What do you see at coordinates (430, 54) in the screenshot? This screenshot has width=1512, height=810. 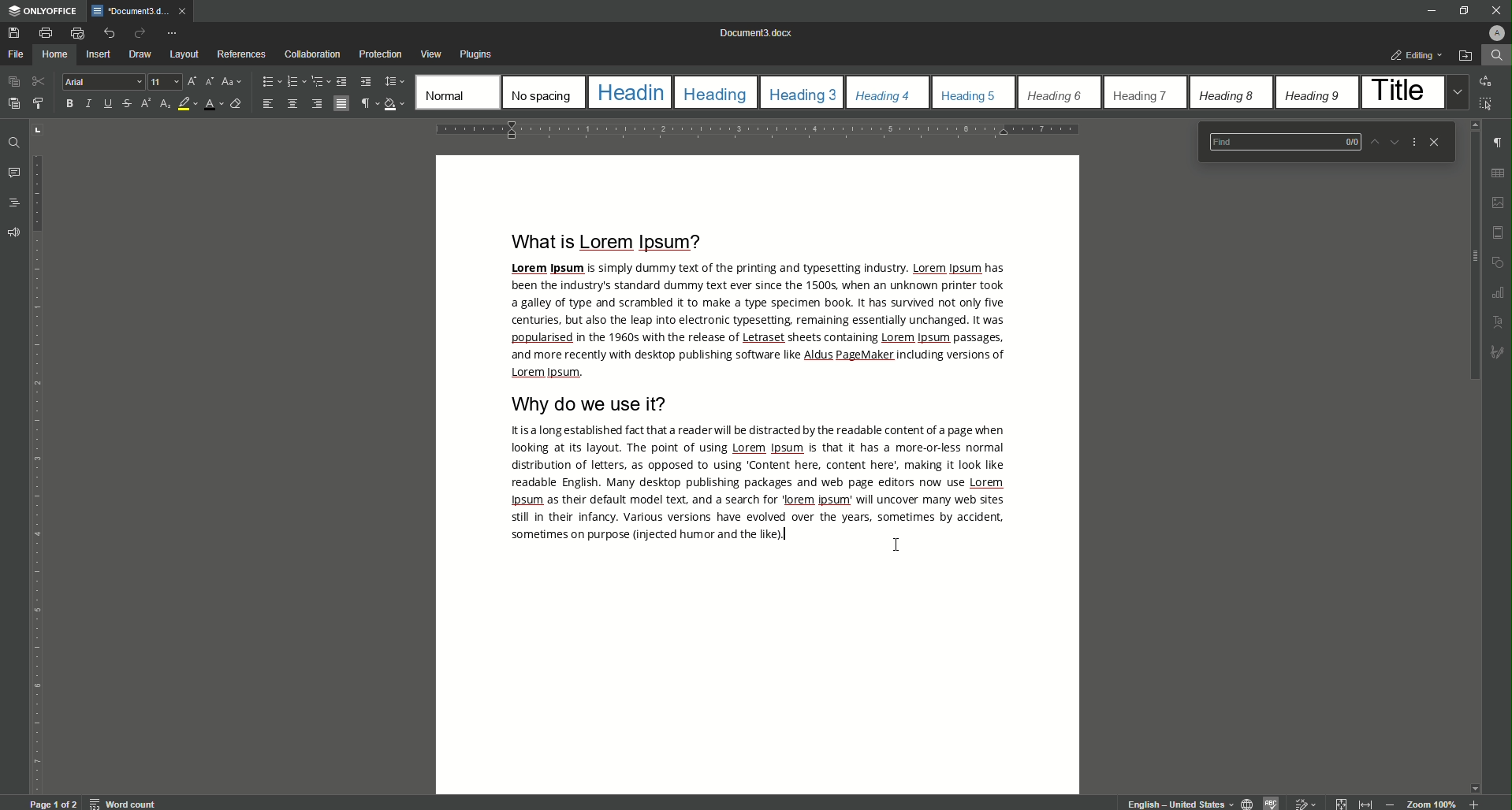 I see `View` at bounding box center [430, 54].